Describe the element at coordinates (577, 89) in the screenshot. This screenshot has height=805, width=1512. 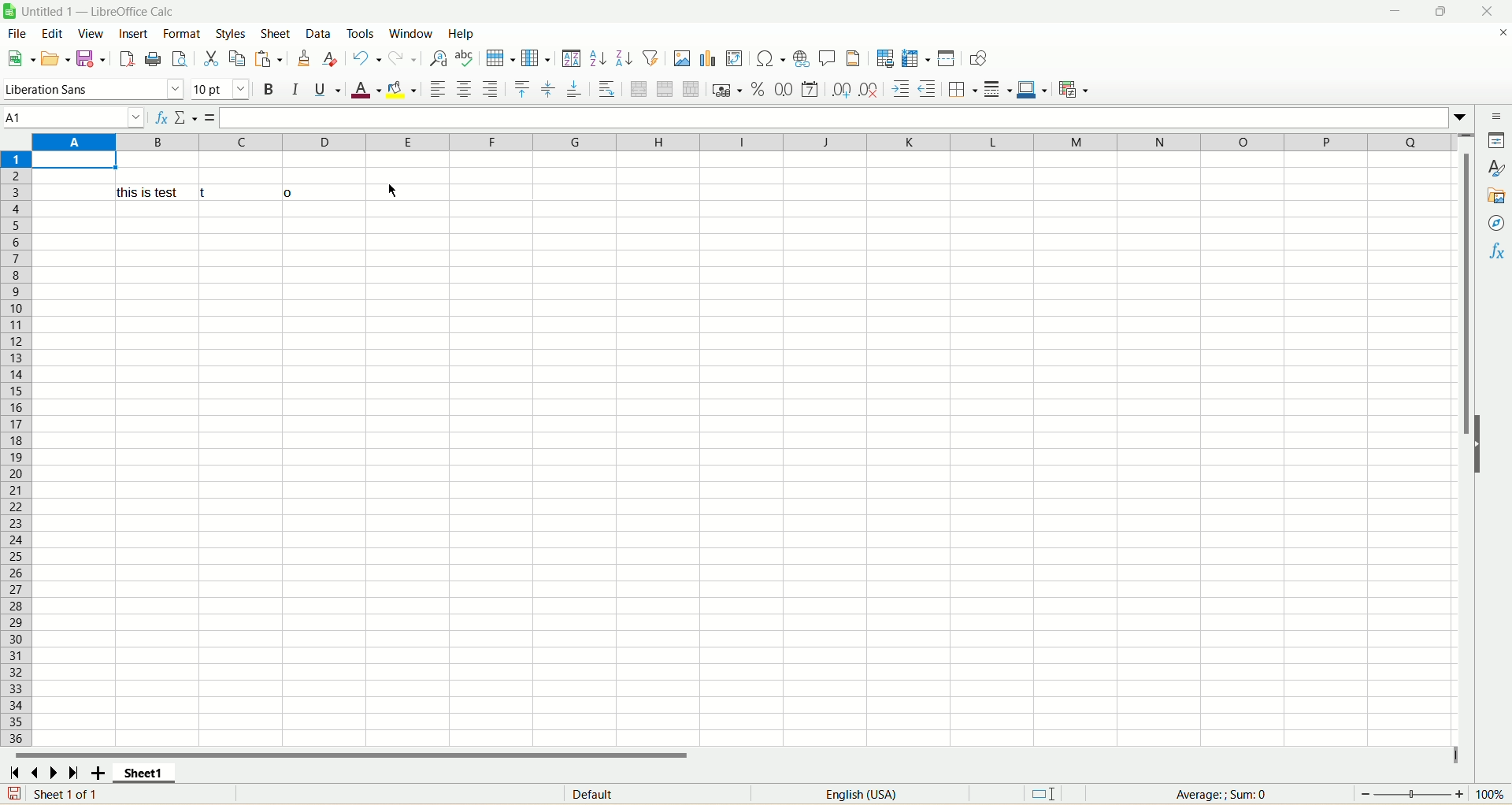
I see `align bottom` at that location.